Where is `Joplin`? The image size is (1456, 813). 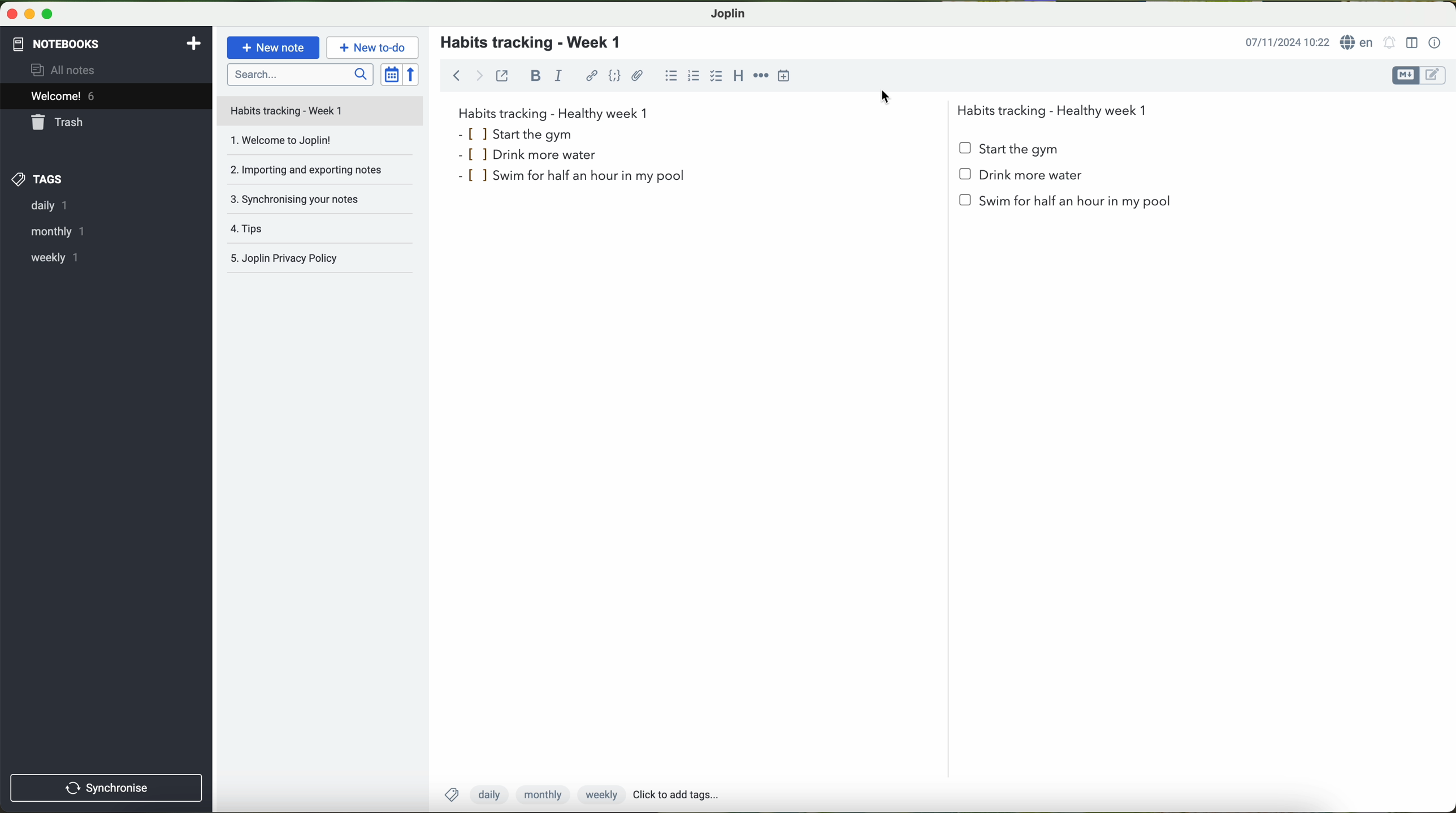
Joplin is located at coordinates (727, 14).